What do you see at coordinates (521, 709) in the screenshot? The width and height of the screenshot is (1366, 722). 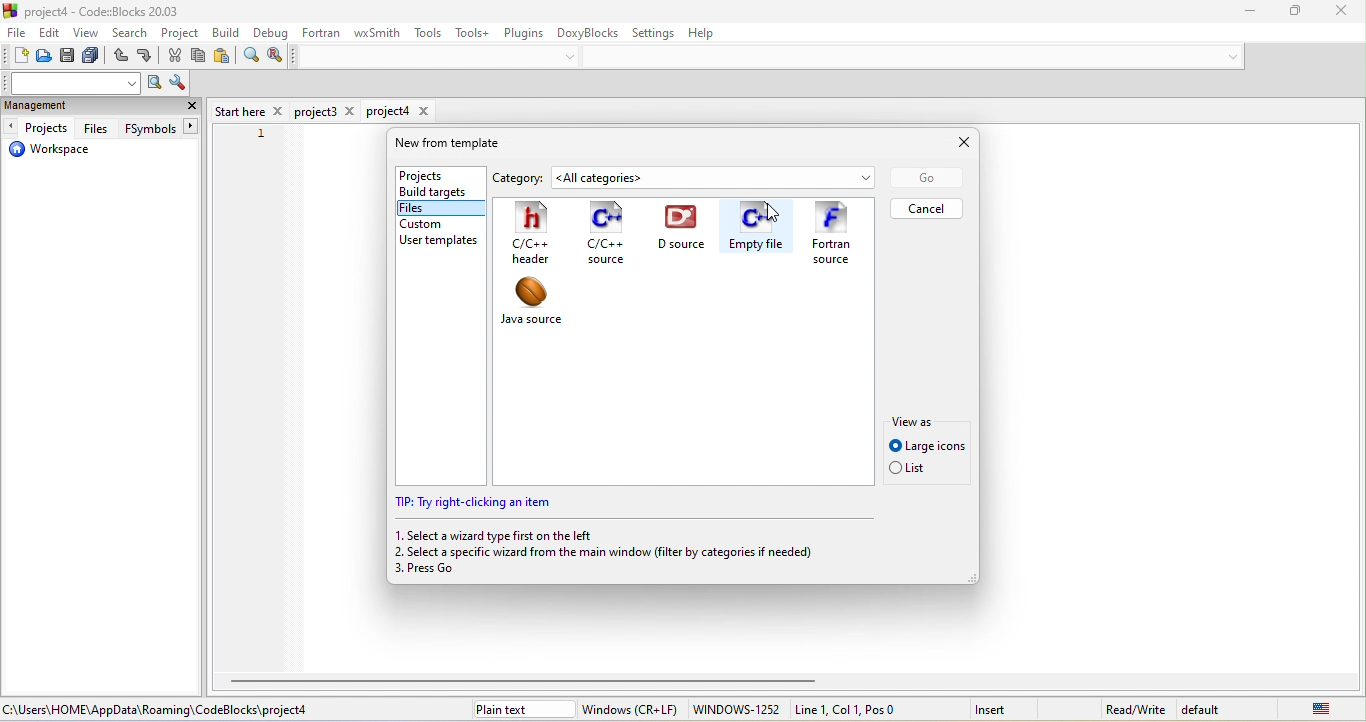 I see `plain text` at bounding box center [521, 709].